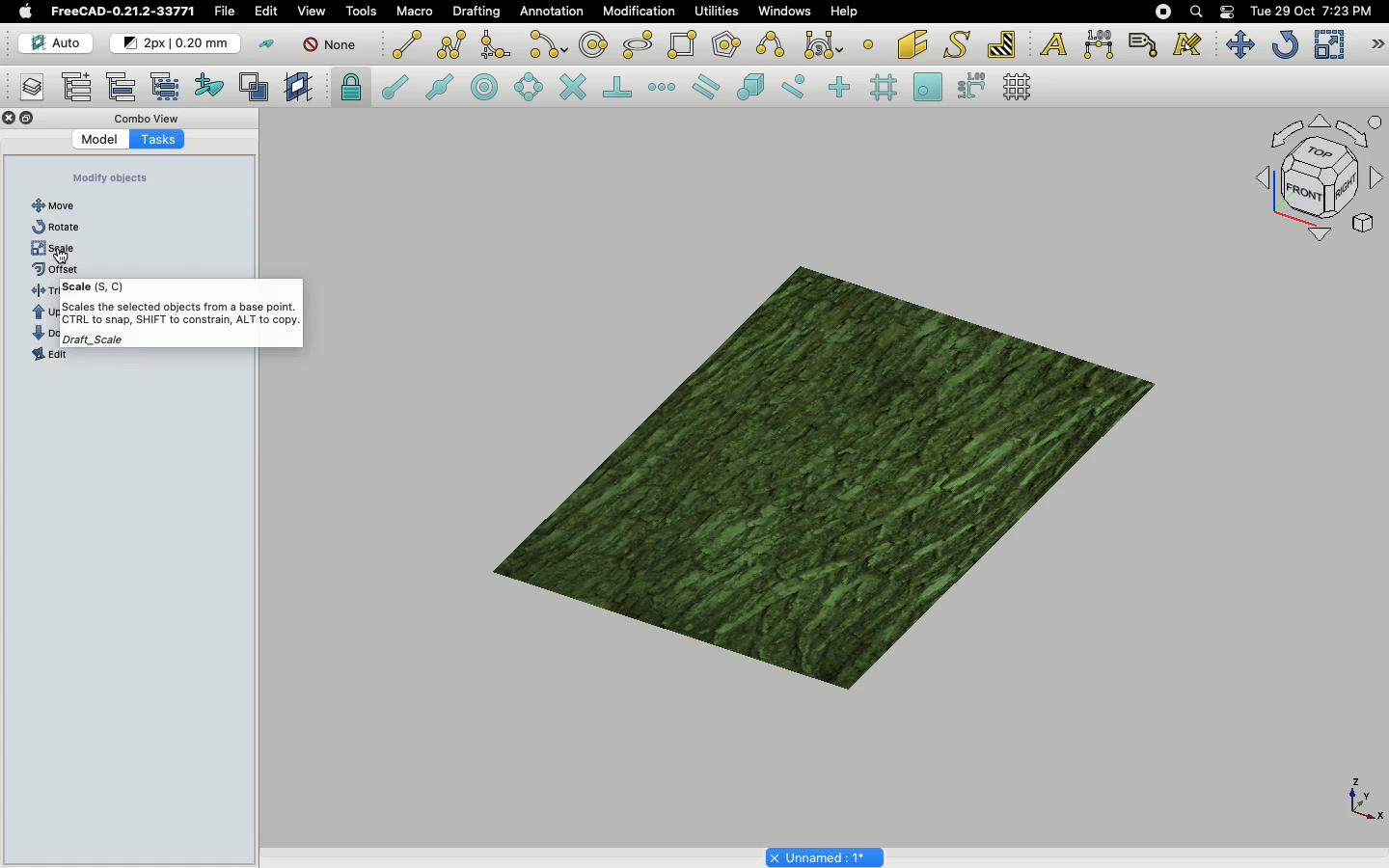 This screenshot has width=1389, height=868. I want to click on Dimension, so click(1097, 43).